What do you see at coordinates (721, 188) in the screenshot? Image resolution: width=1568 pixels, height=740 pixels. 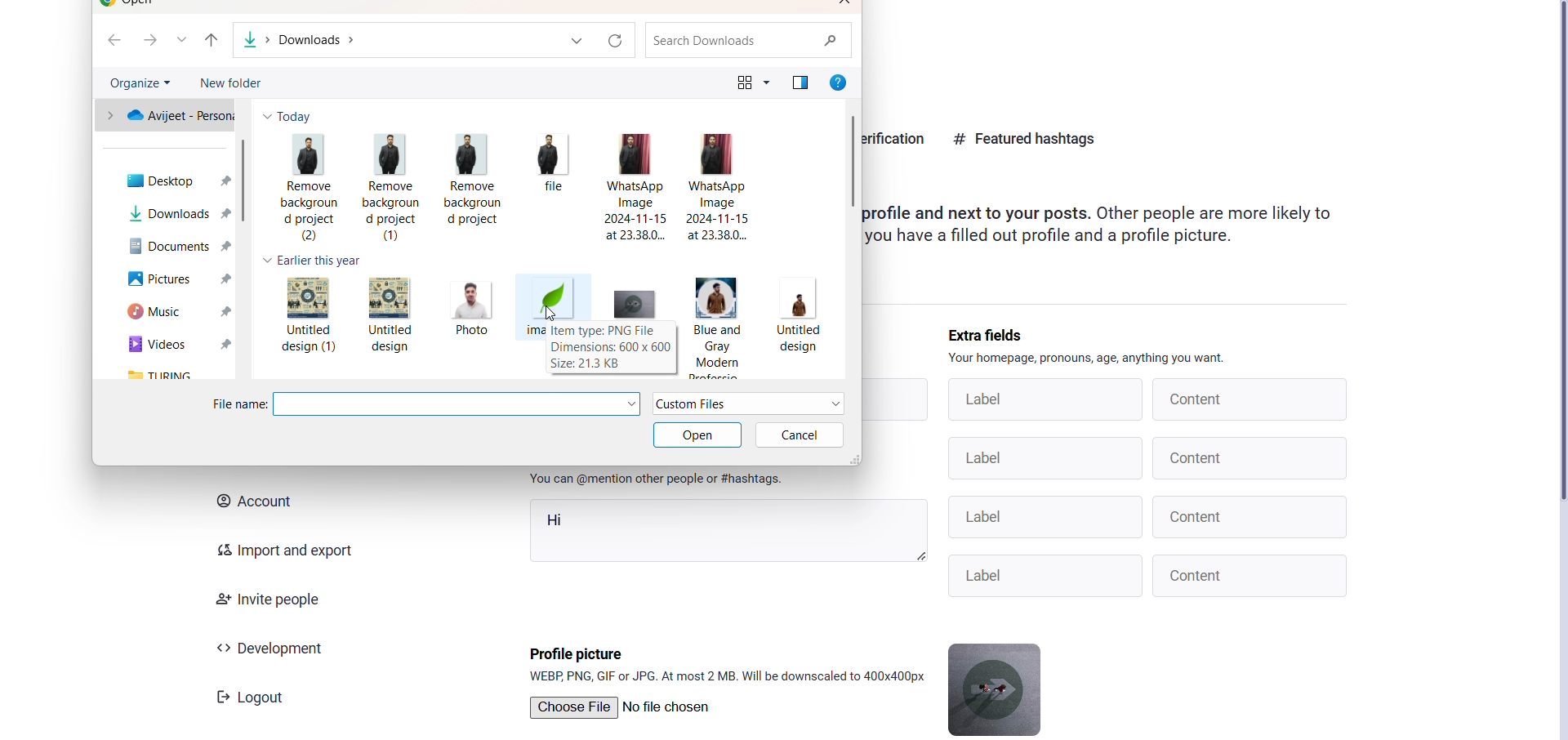 I see `WhatsApp Image2024-11-15 at 23.38.0...` at bounding box center [721, 188].